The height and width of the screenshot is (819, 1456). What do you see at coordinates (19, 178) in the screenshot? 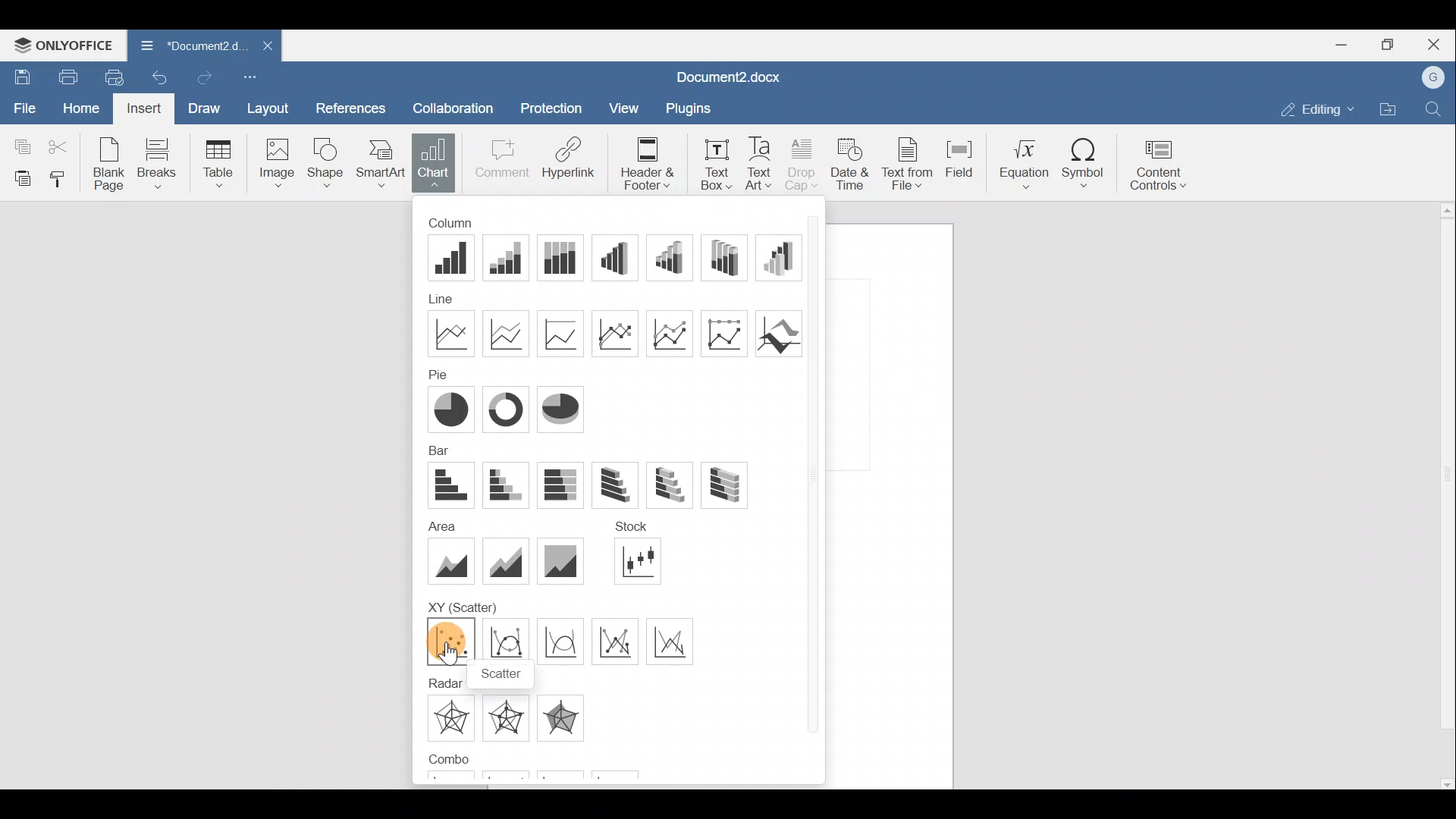
I see `Paste` at bounding box center [19, 178].